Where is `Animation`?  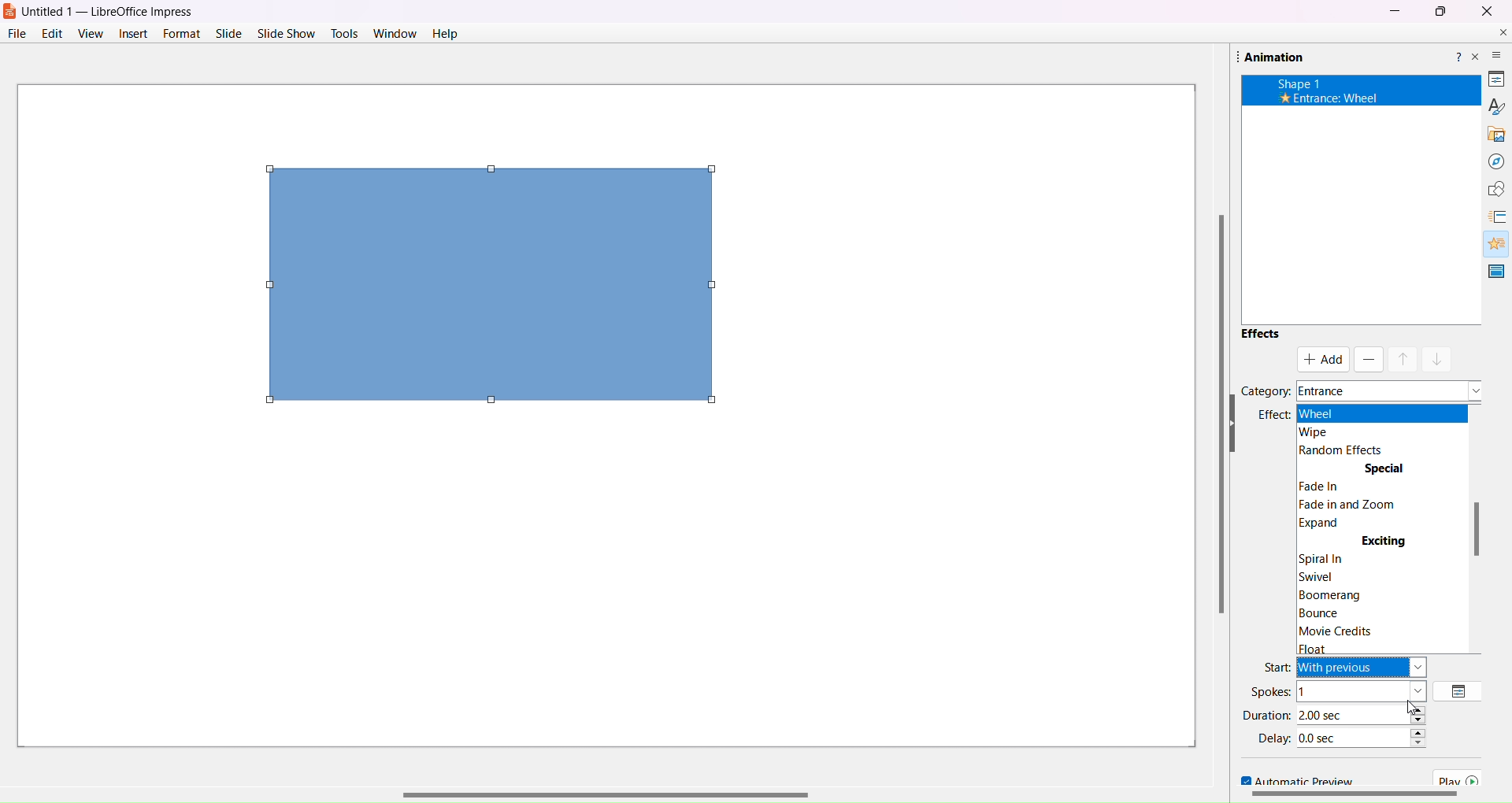 Animation is located at coordinates (1269, 57).